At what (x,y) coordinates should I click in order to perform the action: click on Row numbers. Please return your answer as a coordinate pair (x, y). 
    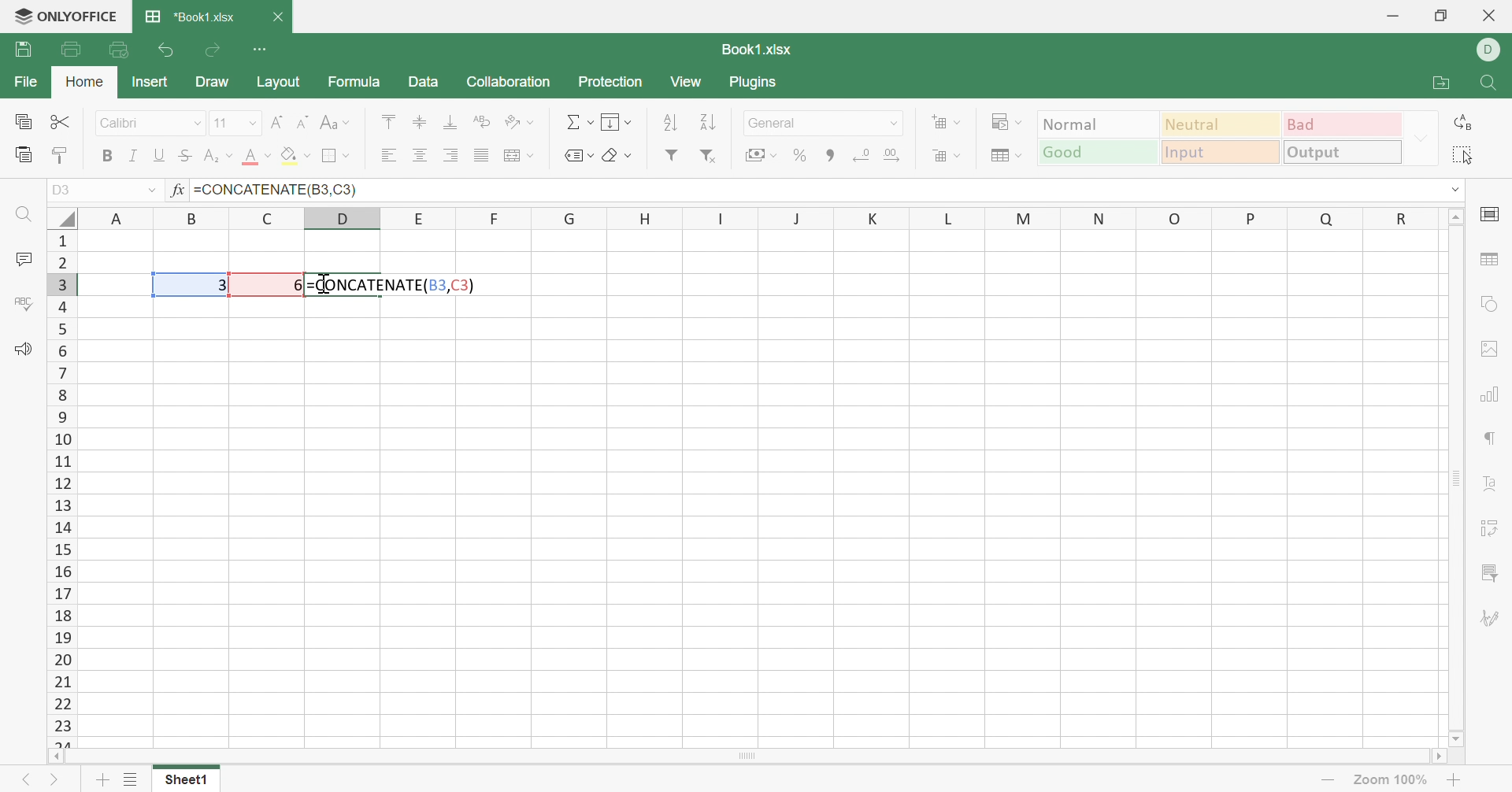
    Looking at the image, I should click on (61, 490).